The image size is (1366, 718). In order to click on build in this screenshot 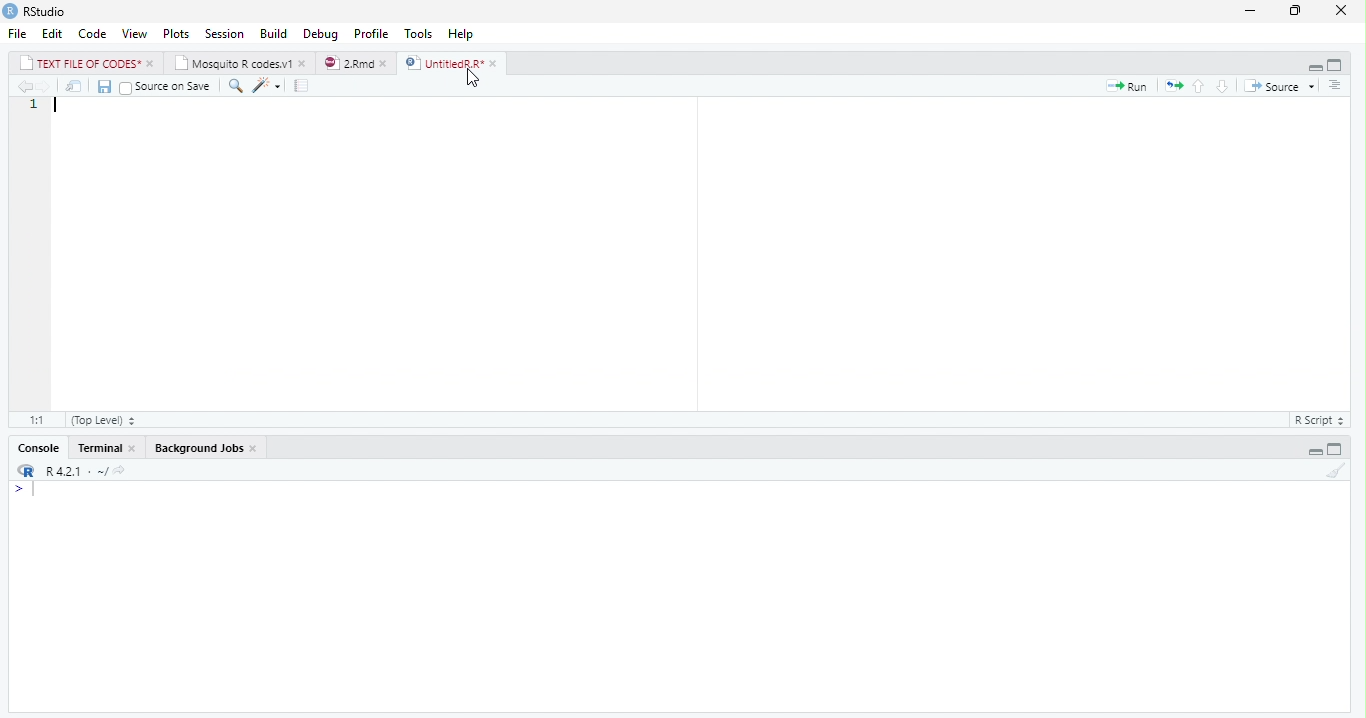, I will do `click(274, 35)`.